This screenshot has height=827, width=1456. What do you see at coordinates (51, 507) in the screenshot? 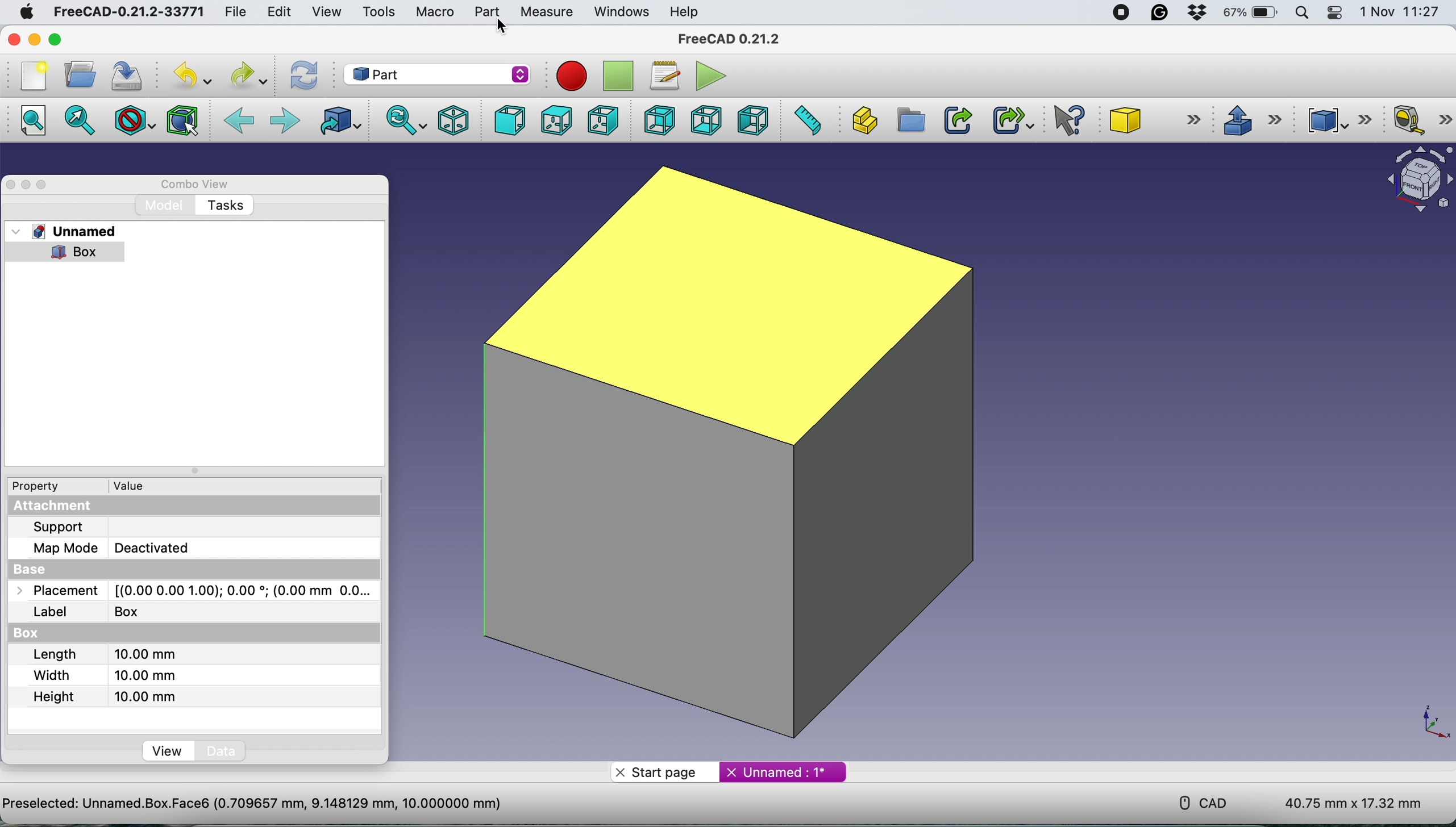
I see `attachement` at bounding box center [51, 507].